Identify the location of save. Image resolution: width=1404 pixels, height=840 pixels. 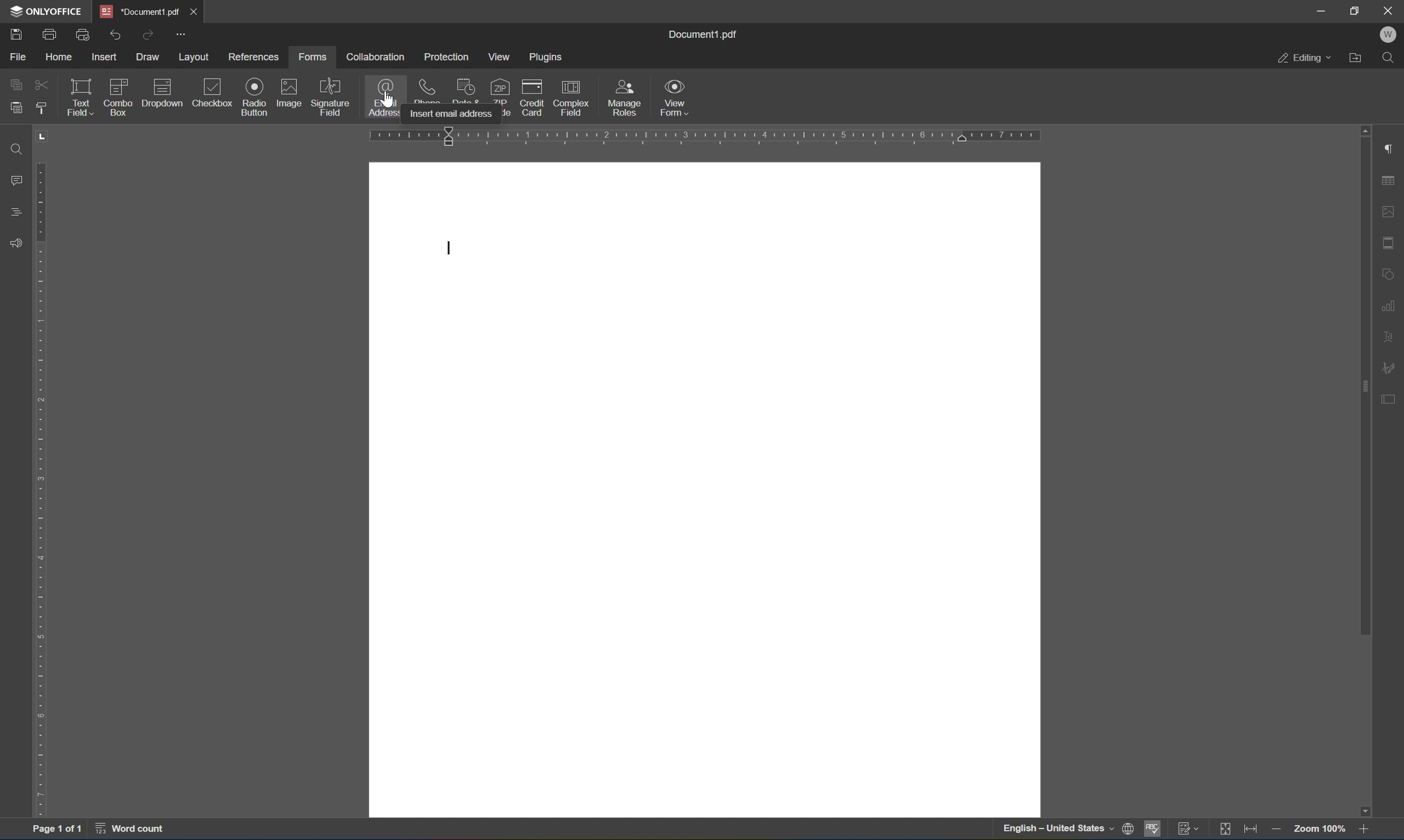
(18, 35).